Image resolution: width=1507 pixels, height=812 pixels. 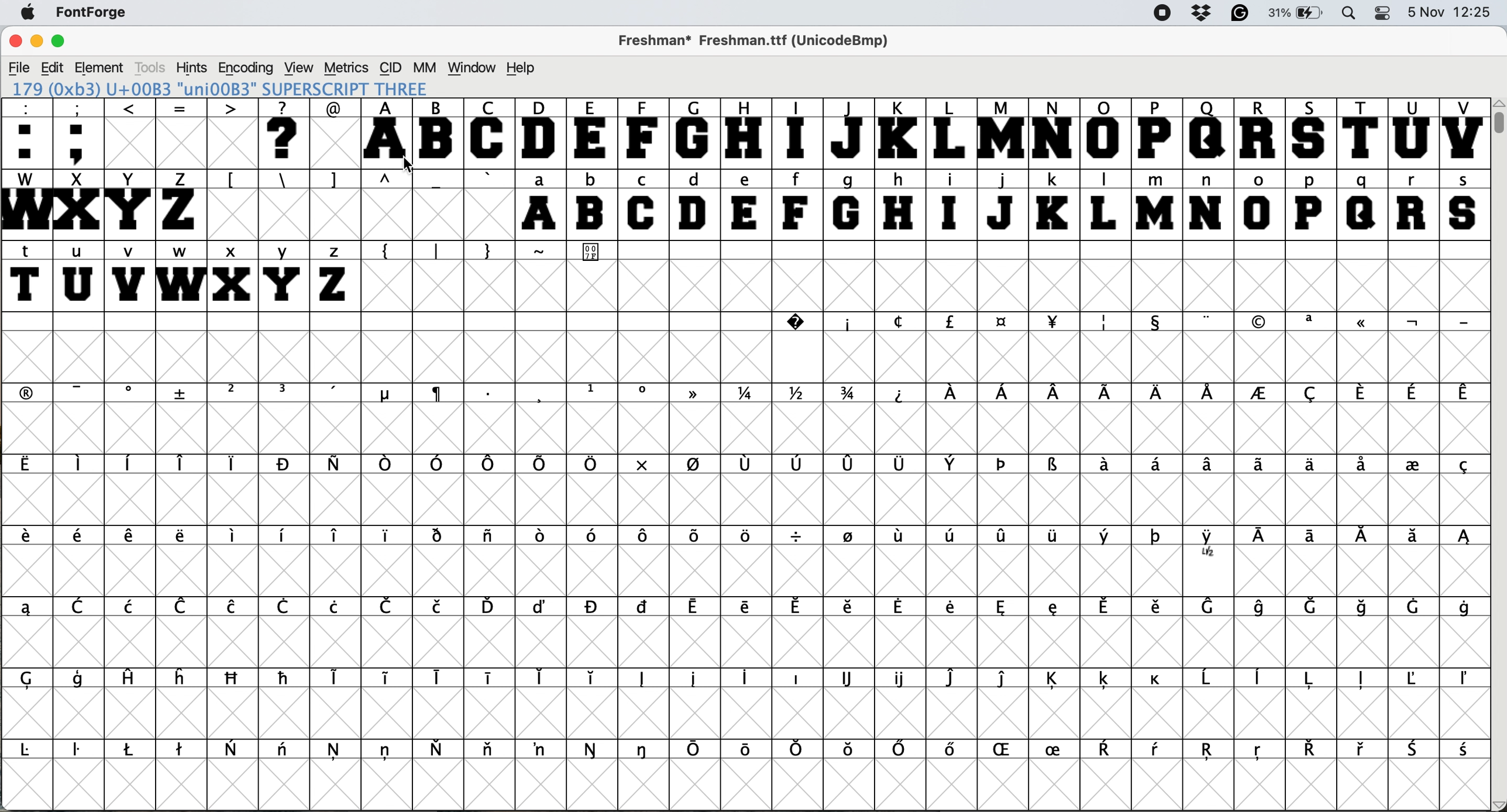 I want to click on ?, so click(x=793, y=321).